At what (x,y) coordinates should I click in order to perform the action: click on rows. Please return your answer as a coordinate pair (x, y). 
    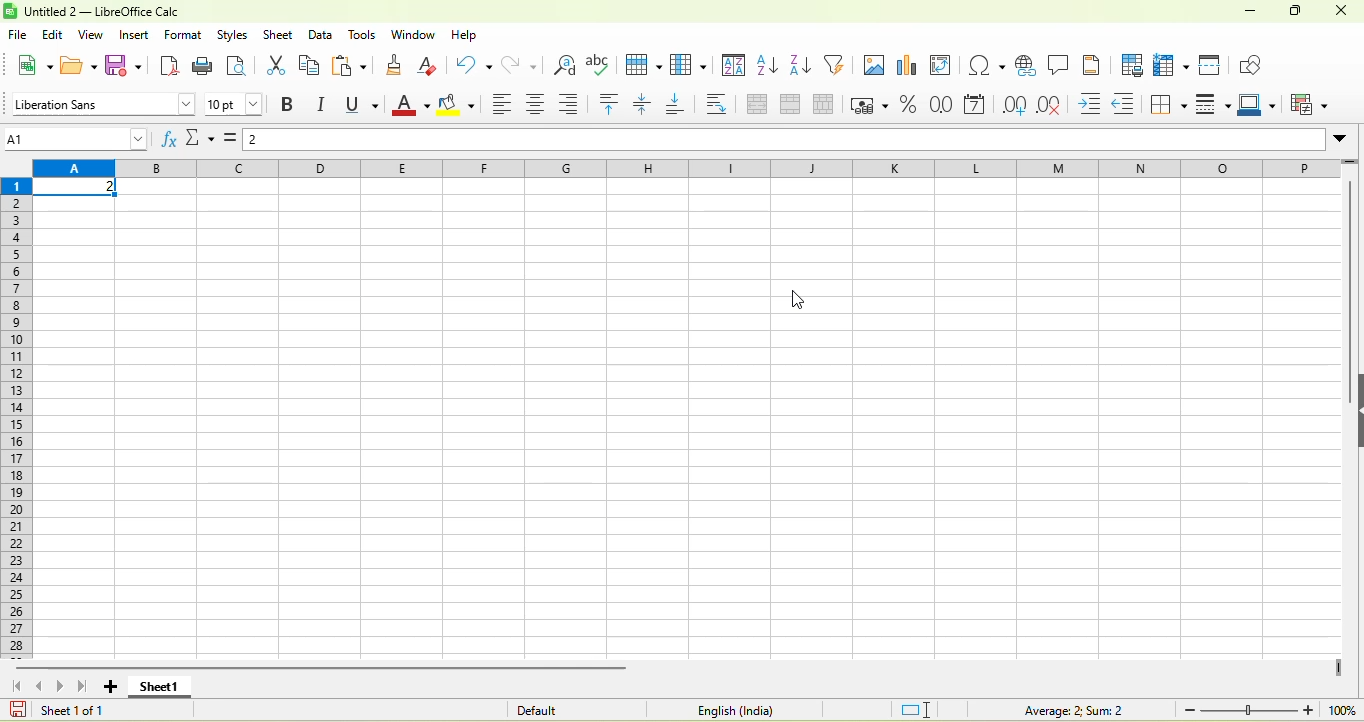
    Looking at the image, I should click on (17, 417).